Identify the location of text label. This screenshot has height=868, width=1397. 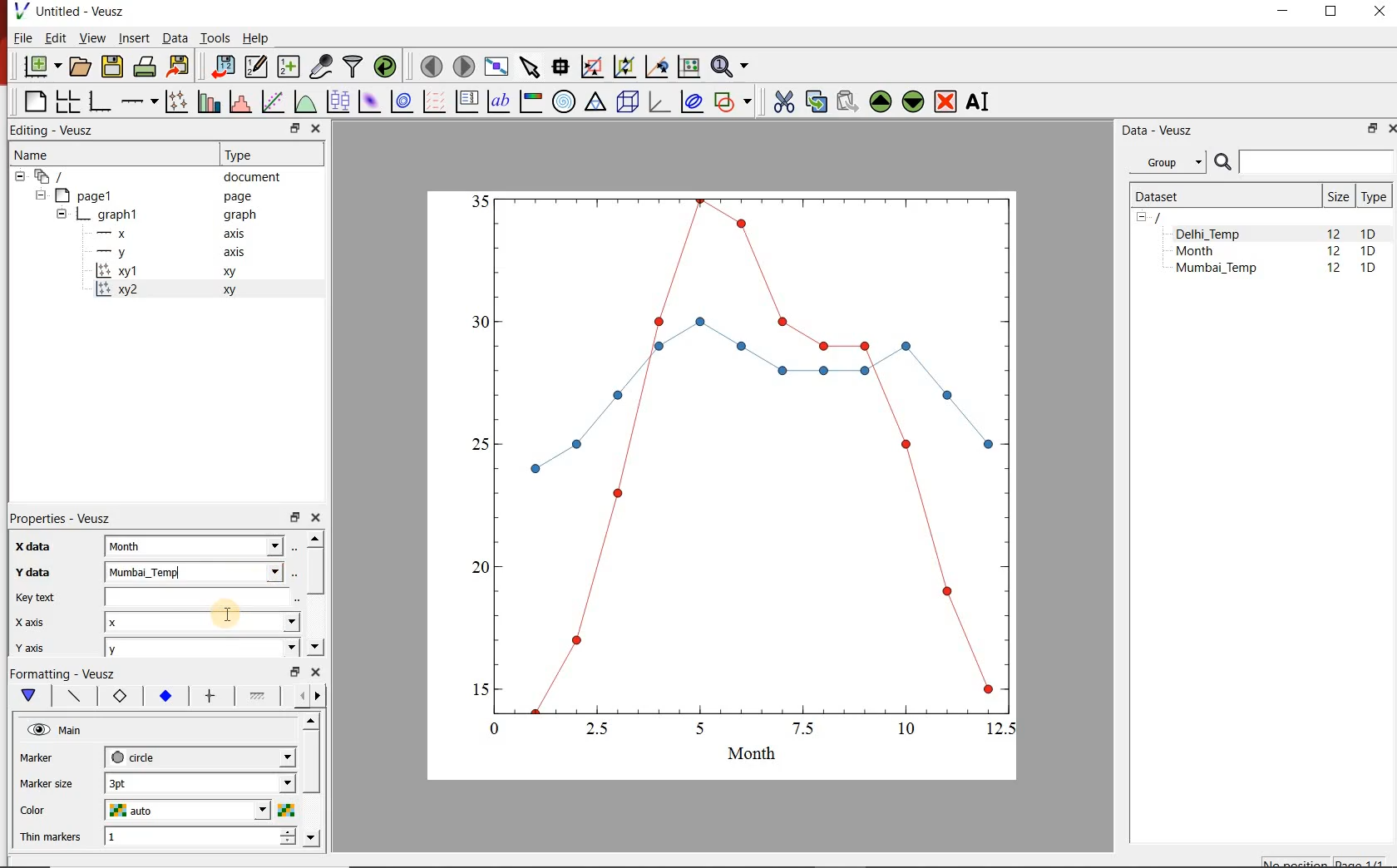
(498, 101).